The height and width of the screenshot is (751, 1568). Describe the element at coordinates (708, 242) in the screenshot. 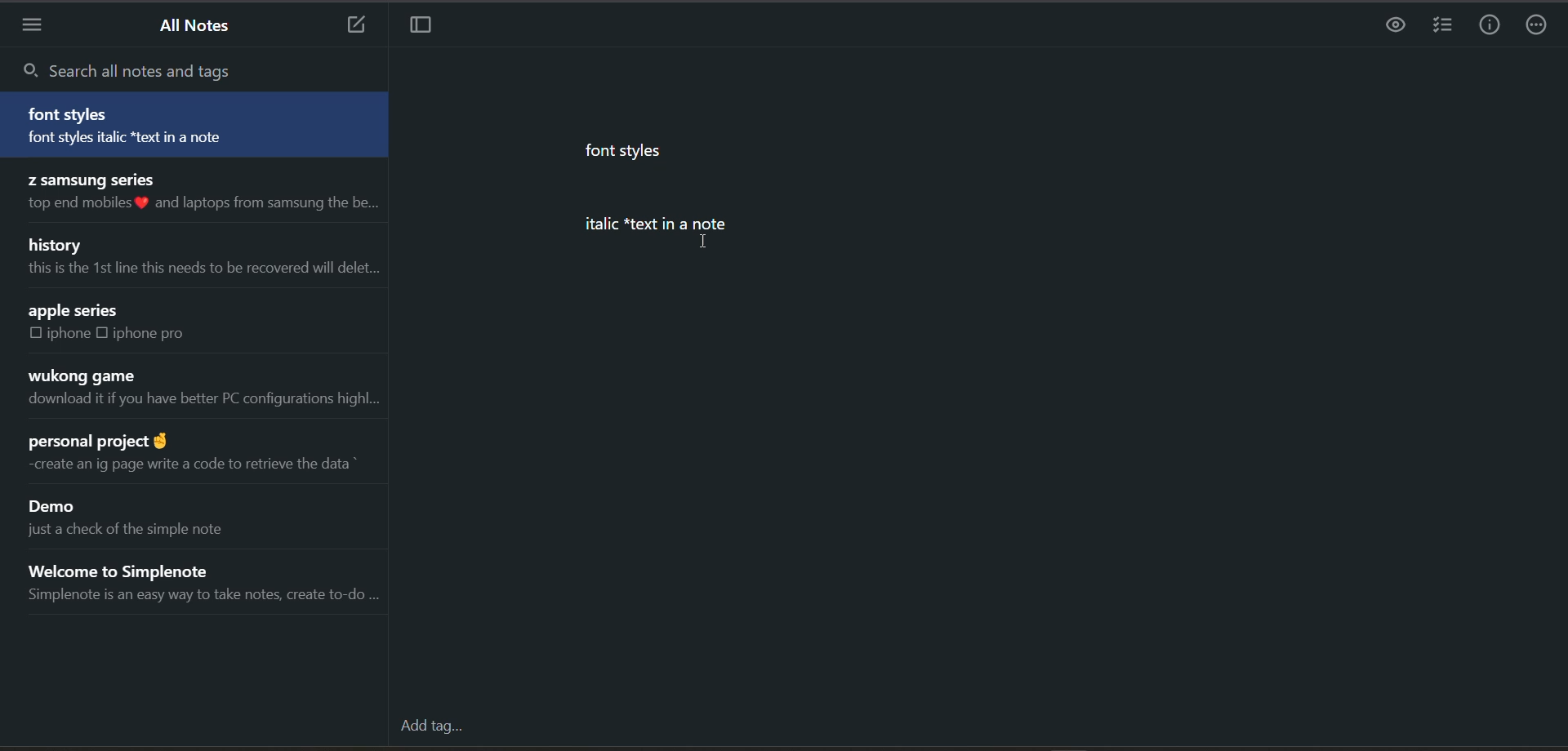

I see `cursor` at that location.